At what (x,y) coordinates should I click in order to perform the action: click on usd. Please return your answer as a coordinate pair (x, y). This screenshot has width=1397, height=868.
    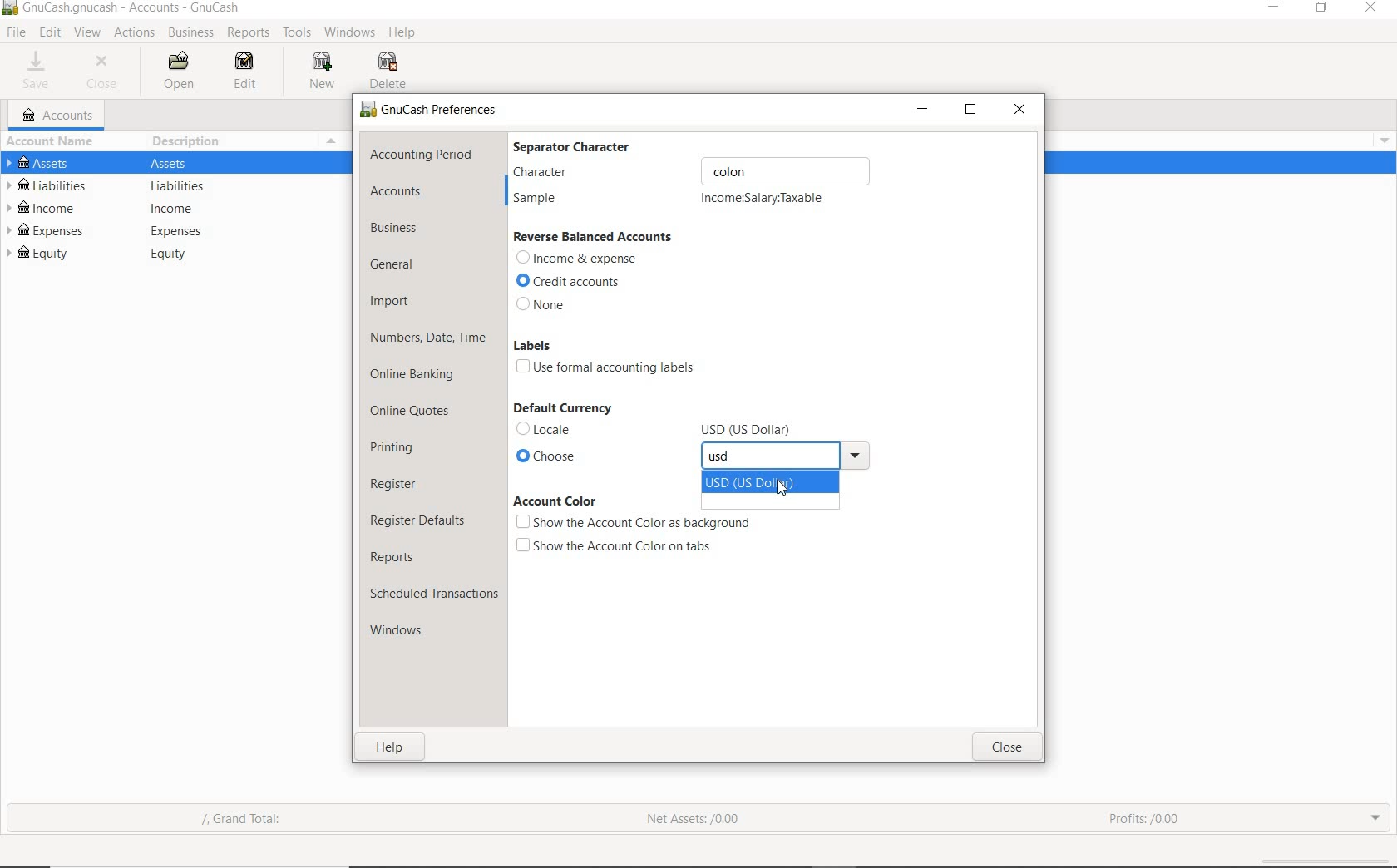
    Looking at the image, I should click on (731, 458).